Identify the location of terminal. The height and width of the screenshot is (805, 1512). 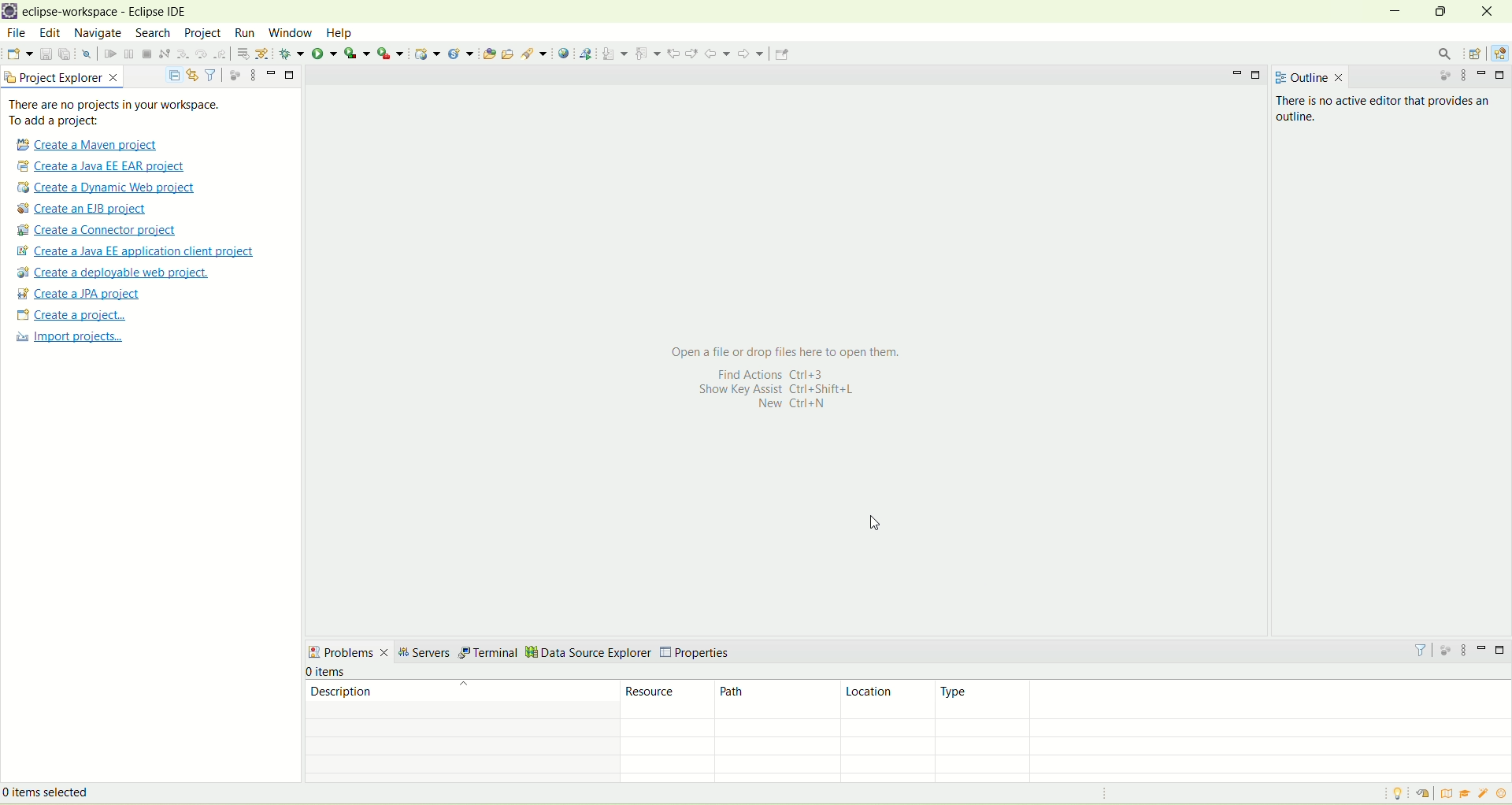
(485, 653).